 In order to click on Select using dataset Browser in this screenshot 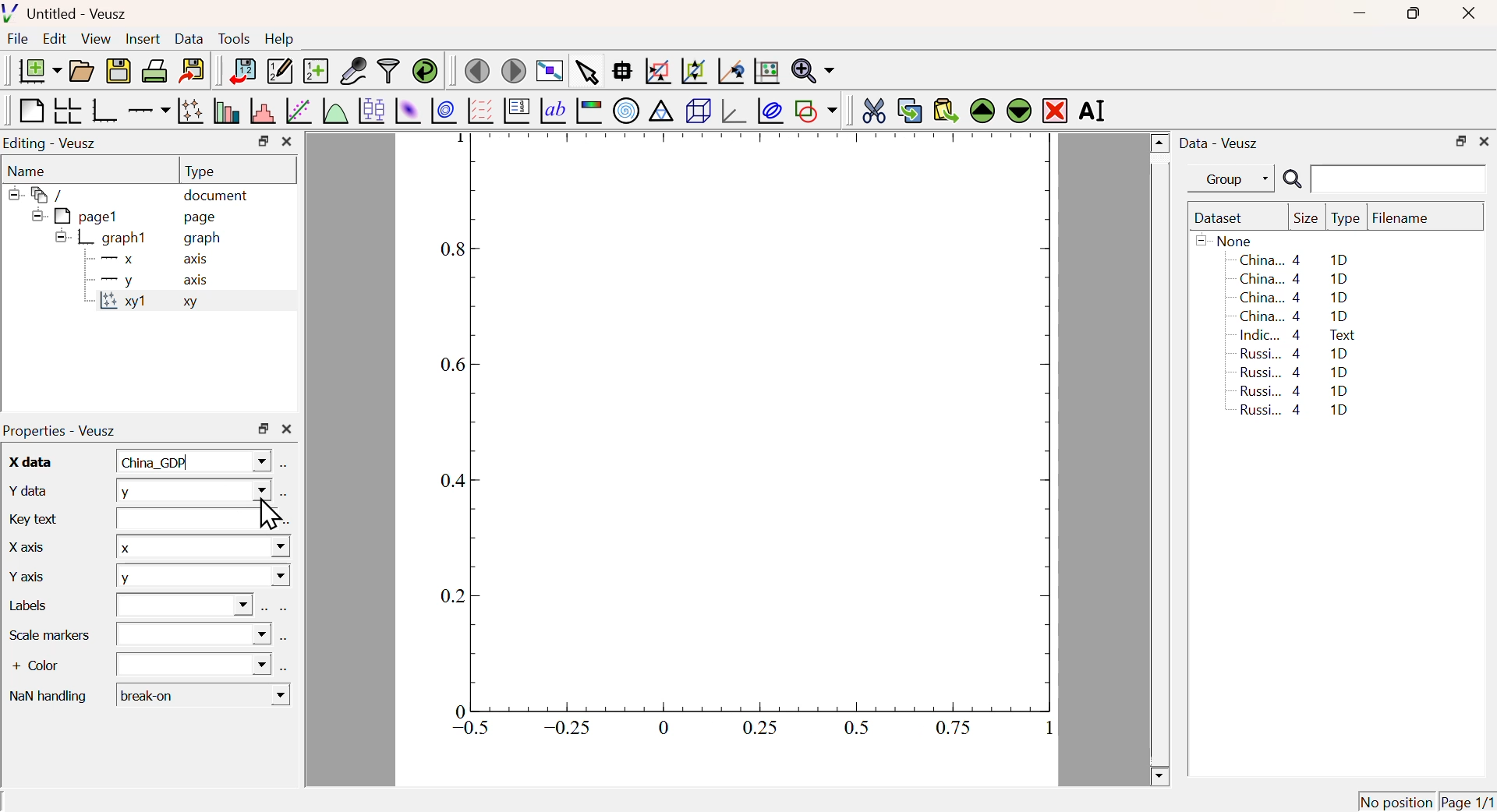, I will do `click(286, 466)`.